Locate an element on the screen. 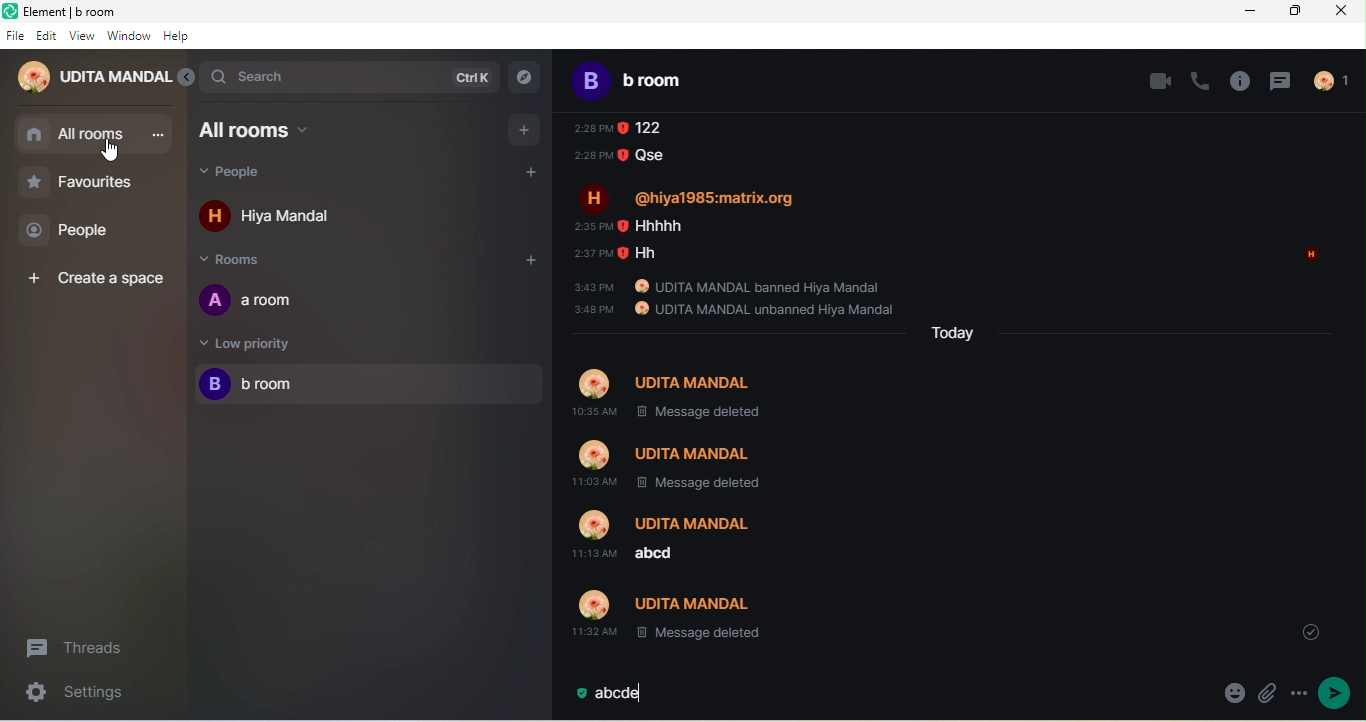 The height and width of the screenshot is (722, 1366). b room is located at coordinates (366, 384).